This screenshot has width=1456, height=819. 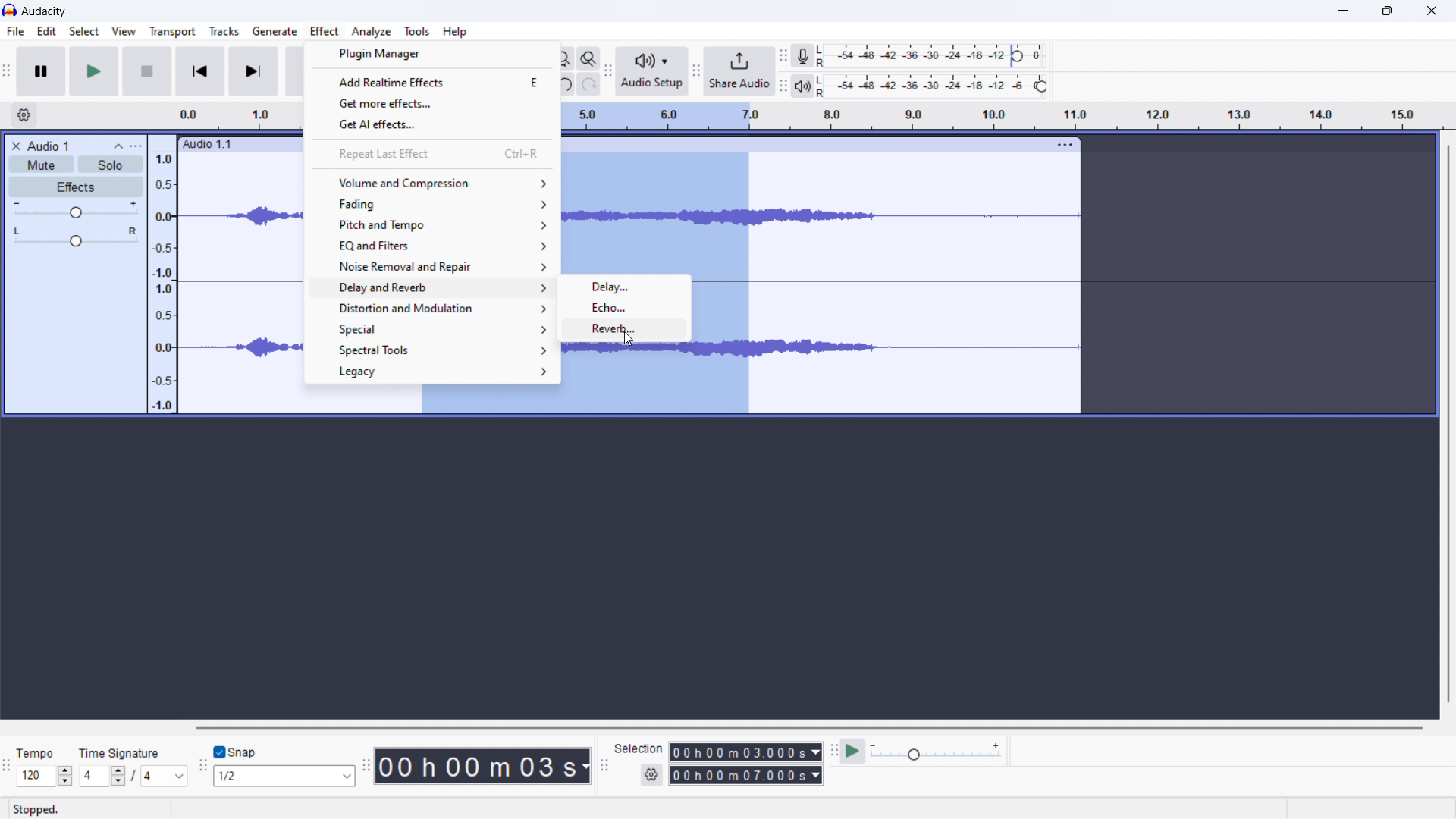 What do you see at coordinates (628, 309) in the screenshot?
I see `echo...` at bounding box center [628, 309].